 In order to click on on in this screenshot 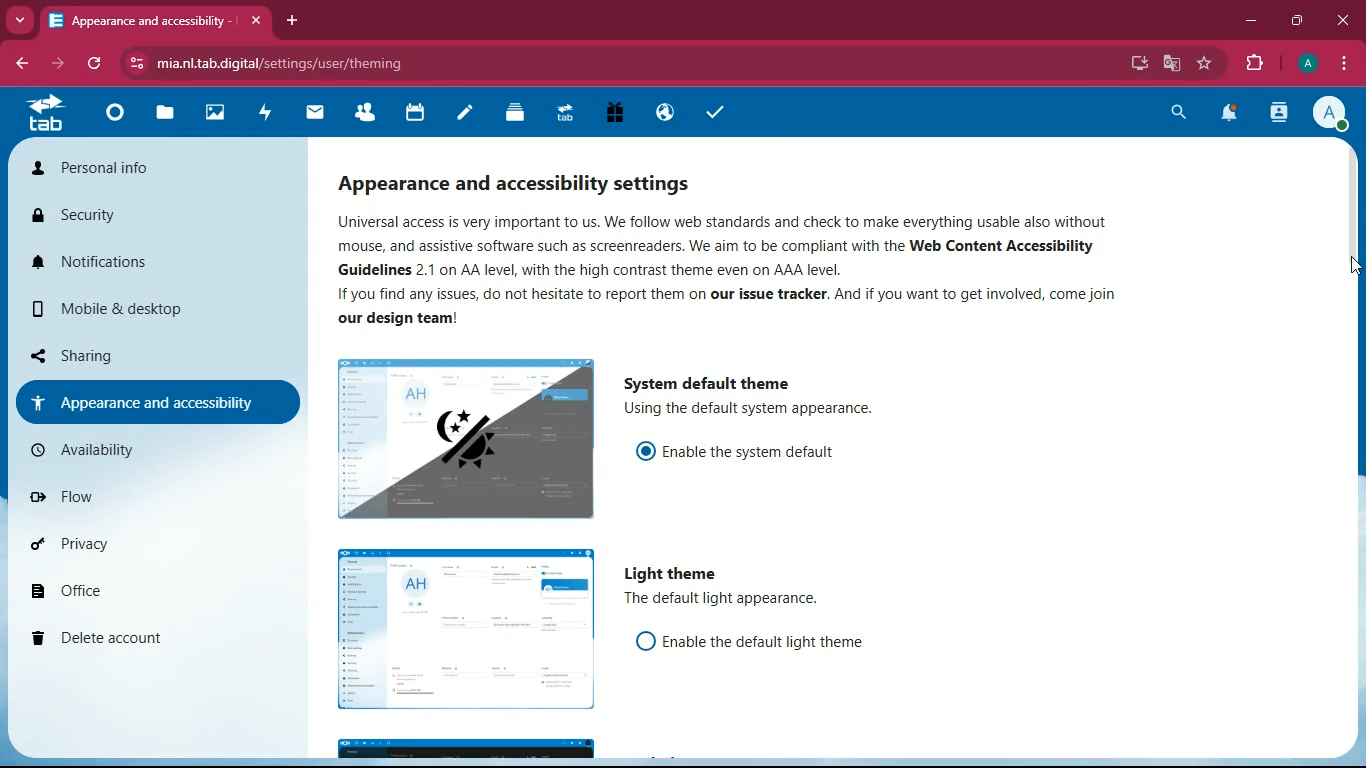, I will do `click(647, 451)`.